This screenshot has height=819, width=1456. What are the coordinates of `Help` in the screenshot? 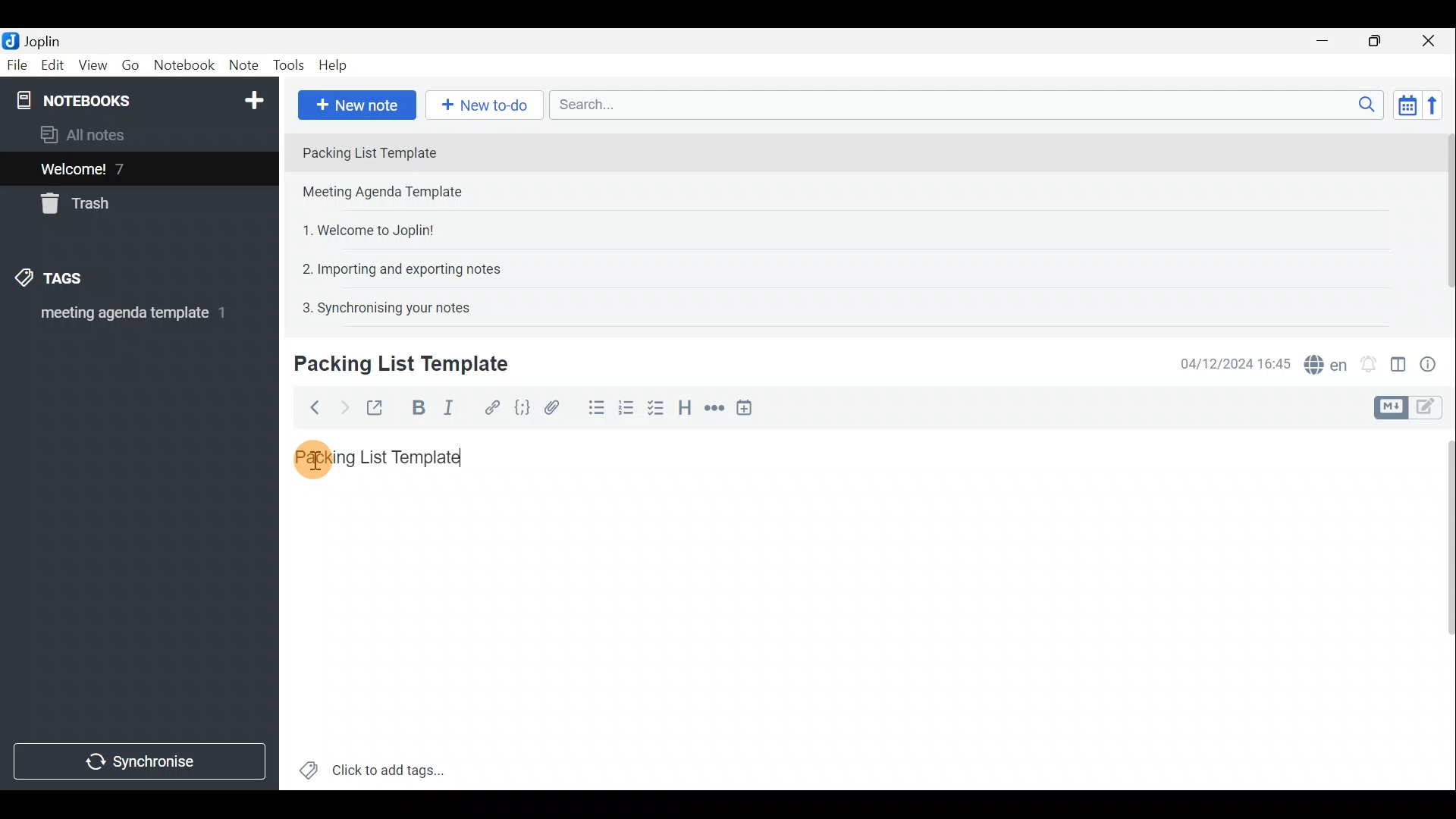 It's located at (335, 67).